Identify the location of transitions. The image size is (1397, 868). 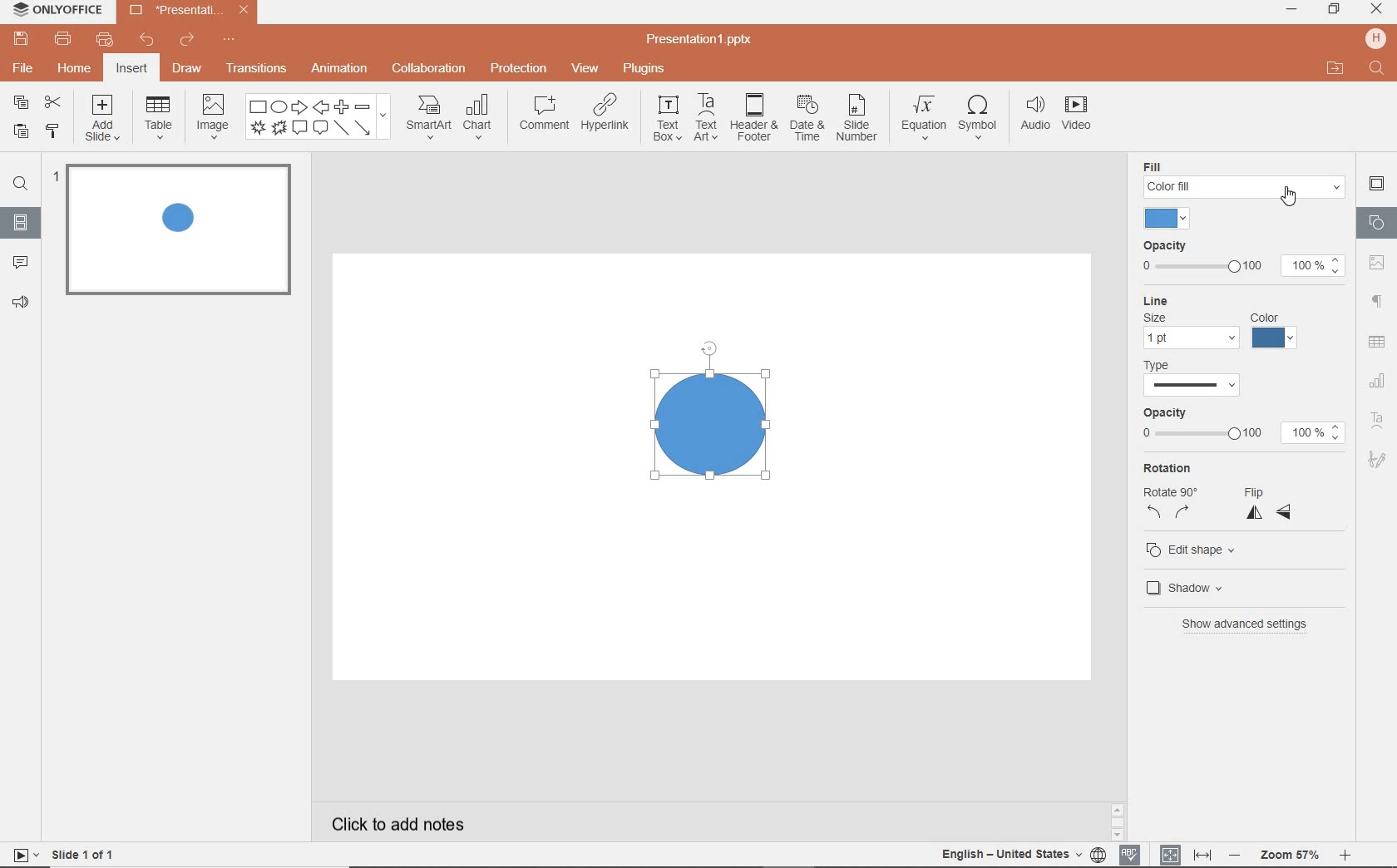
(256, 67).